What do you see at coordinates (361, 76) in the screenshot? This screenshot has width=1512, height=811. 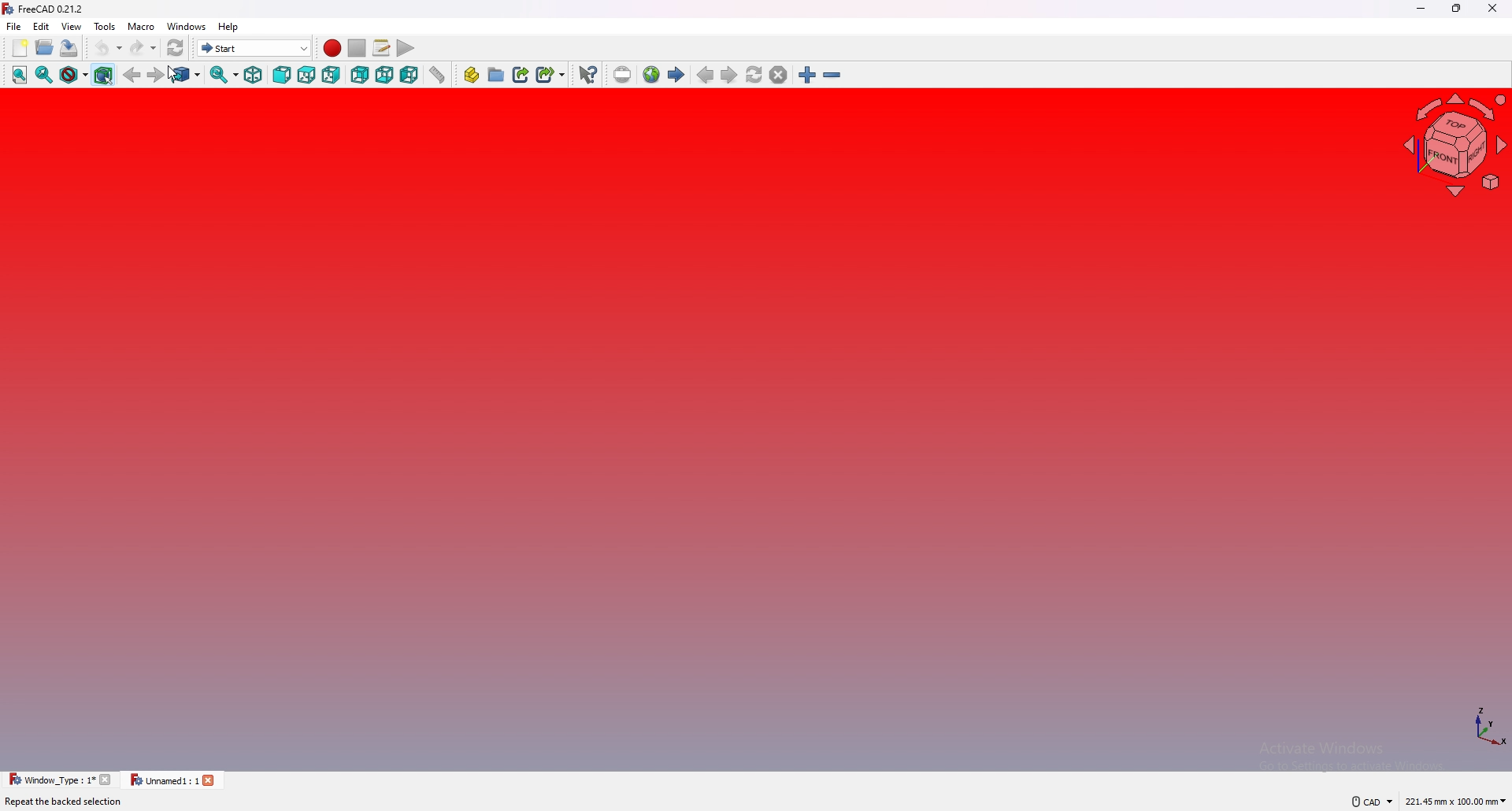 I see `rear` at bounding box center [361, 76].